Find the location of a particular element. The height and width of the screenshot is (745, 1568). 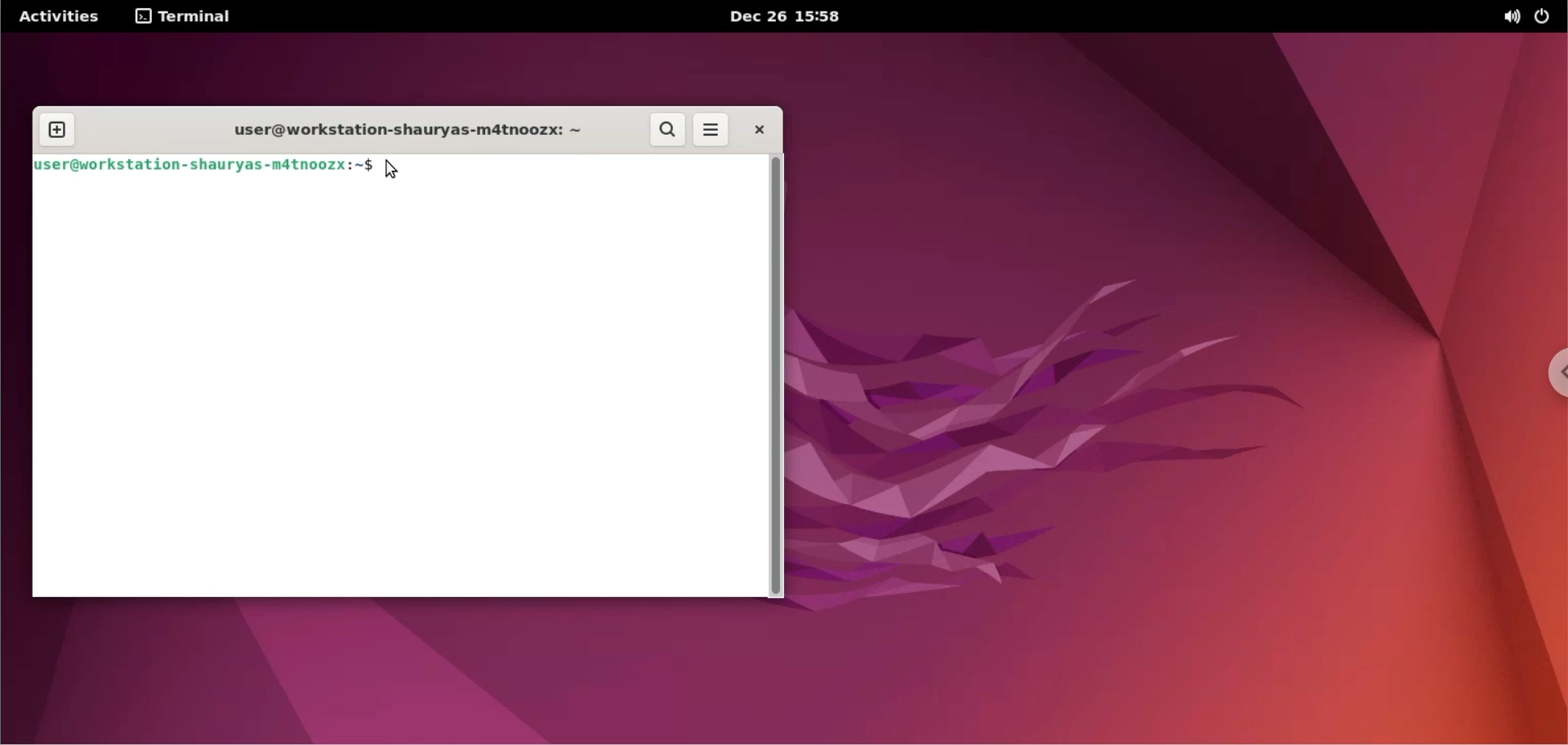

user@workstation-shauryas-m4tnoozx:~$ is located at coordinates (204, 164).